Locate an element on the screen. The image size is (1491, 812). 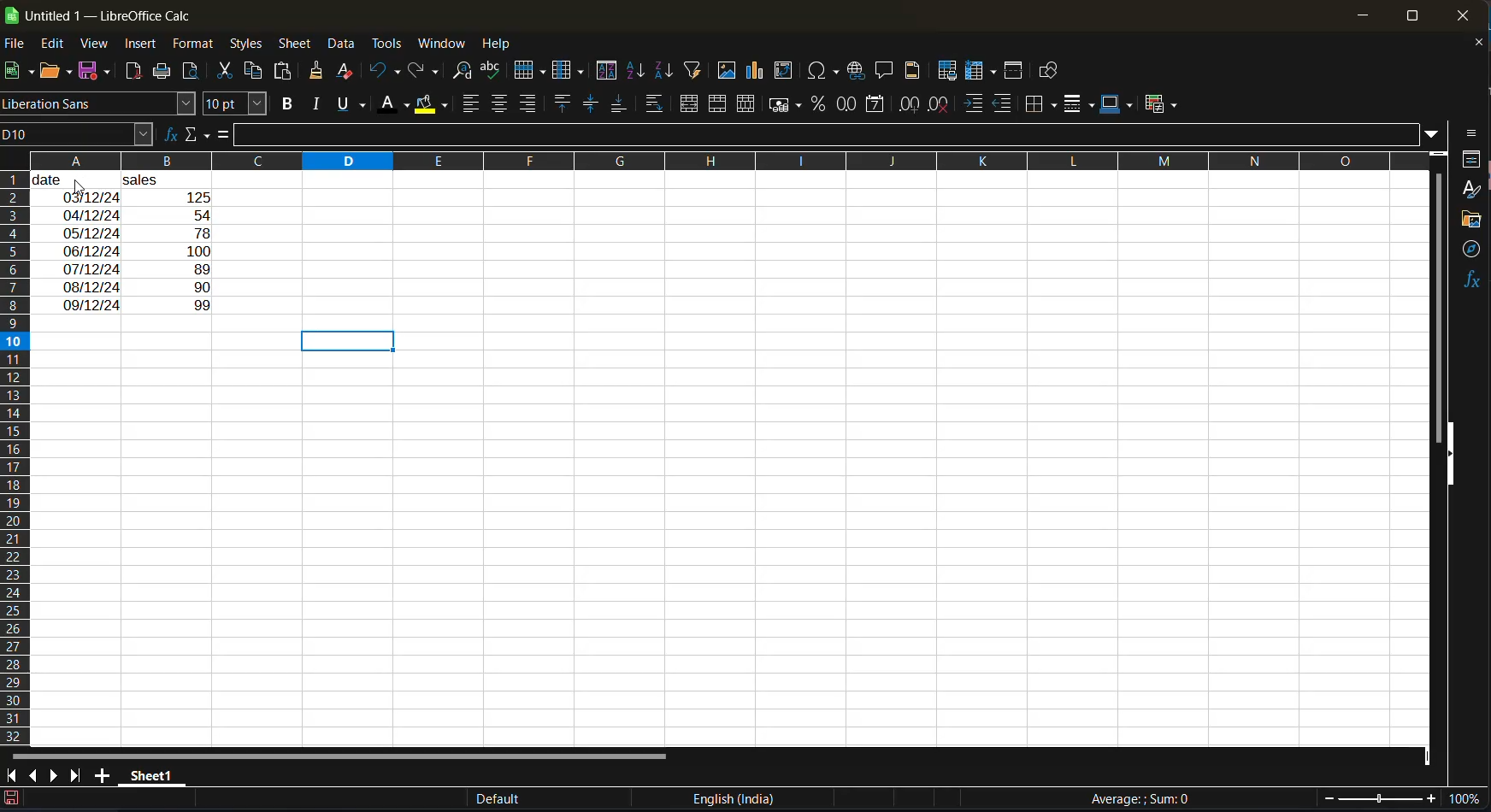
italic is located at coordinates (320, 104).